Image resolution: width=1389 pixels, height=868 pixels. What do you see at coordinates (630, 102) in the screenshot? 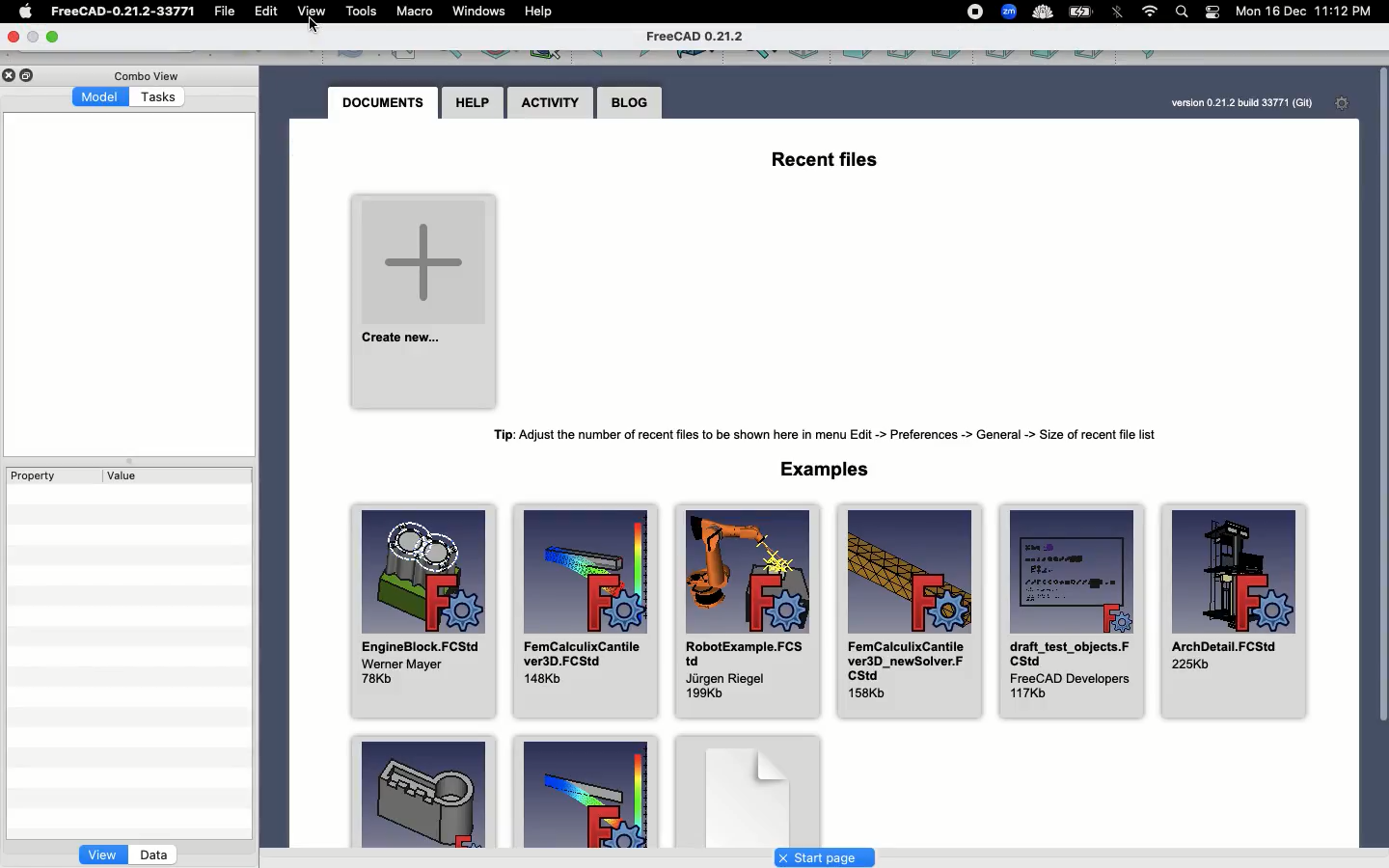
I see `Blog` at bounding box center [630, 102].